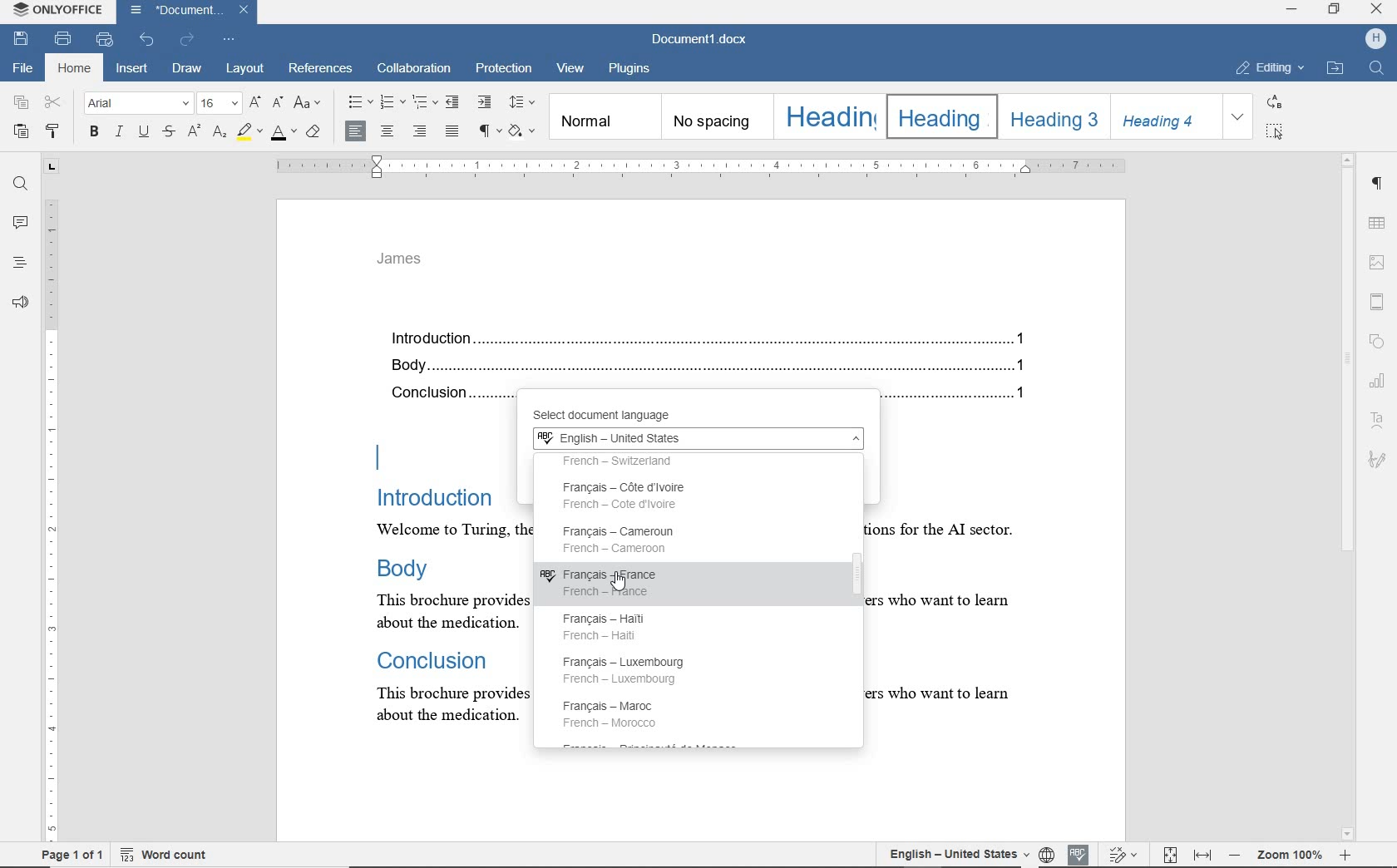 The width and height of the screenshot is (1397, 868). I want to click on increase indent, so click(483, 101).